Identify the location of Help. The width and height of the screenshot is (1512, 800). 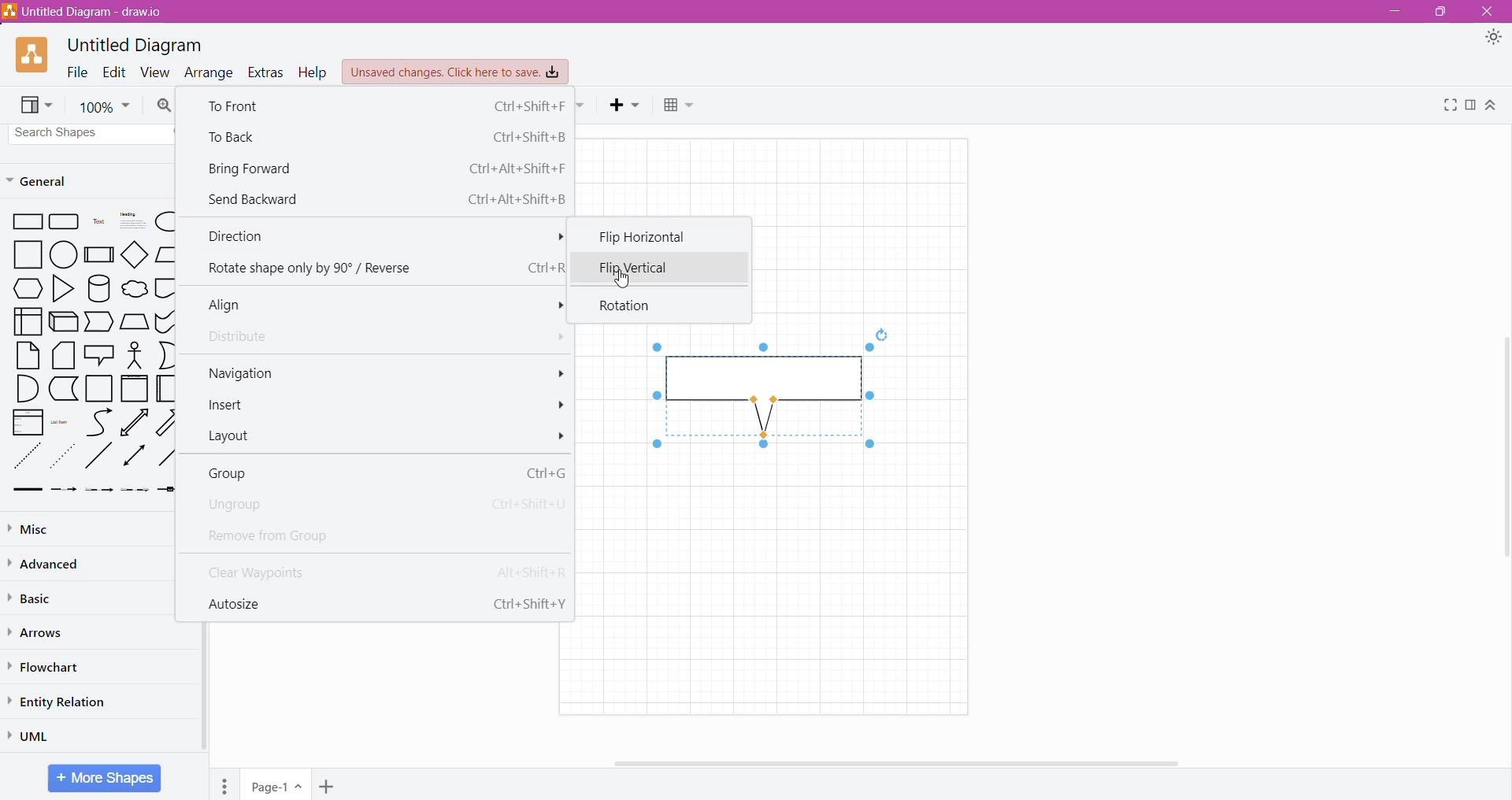
(313, 72).